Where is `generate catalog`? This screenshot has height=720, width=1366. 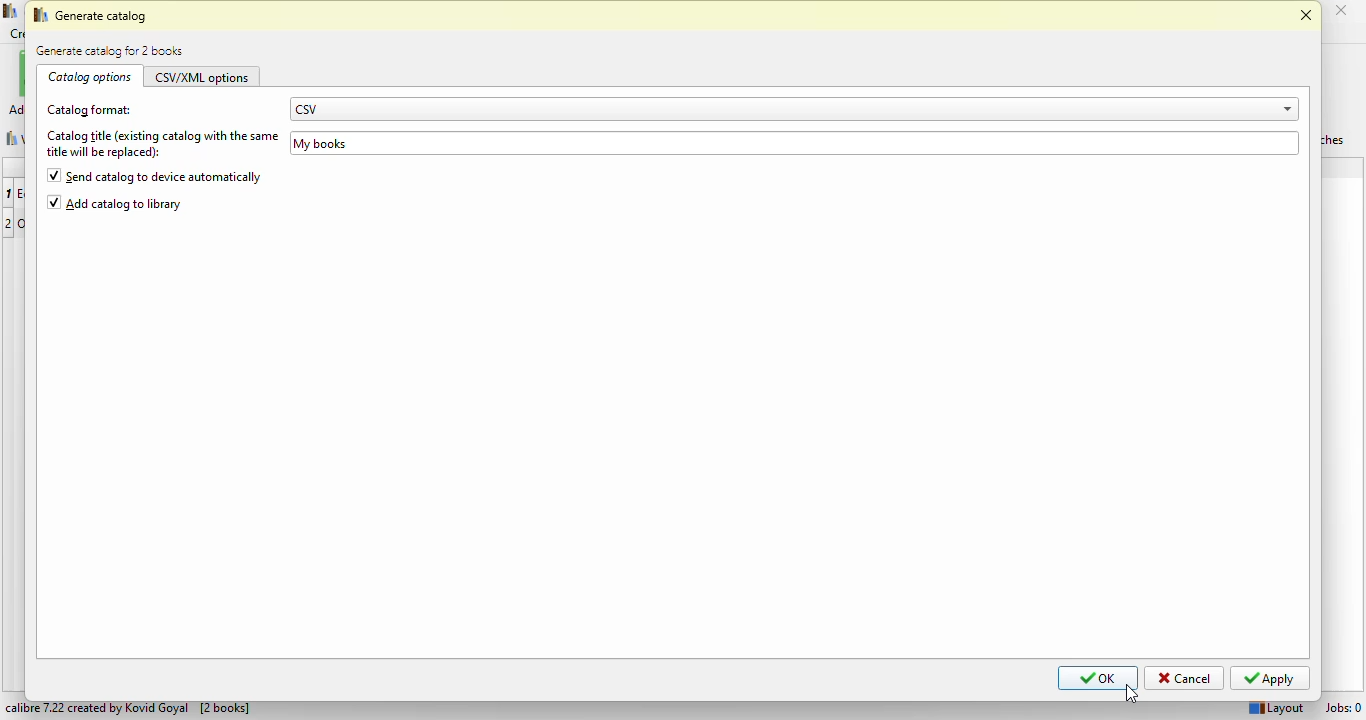 generate catalog is located at coordinates (90, 15).